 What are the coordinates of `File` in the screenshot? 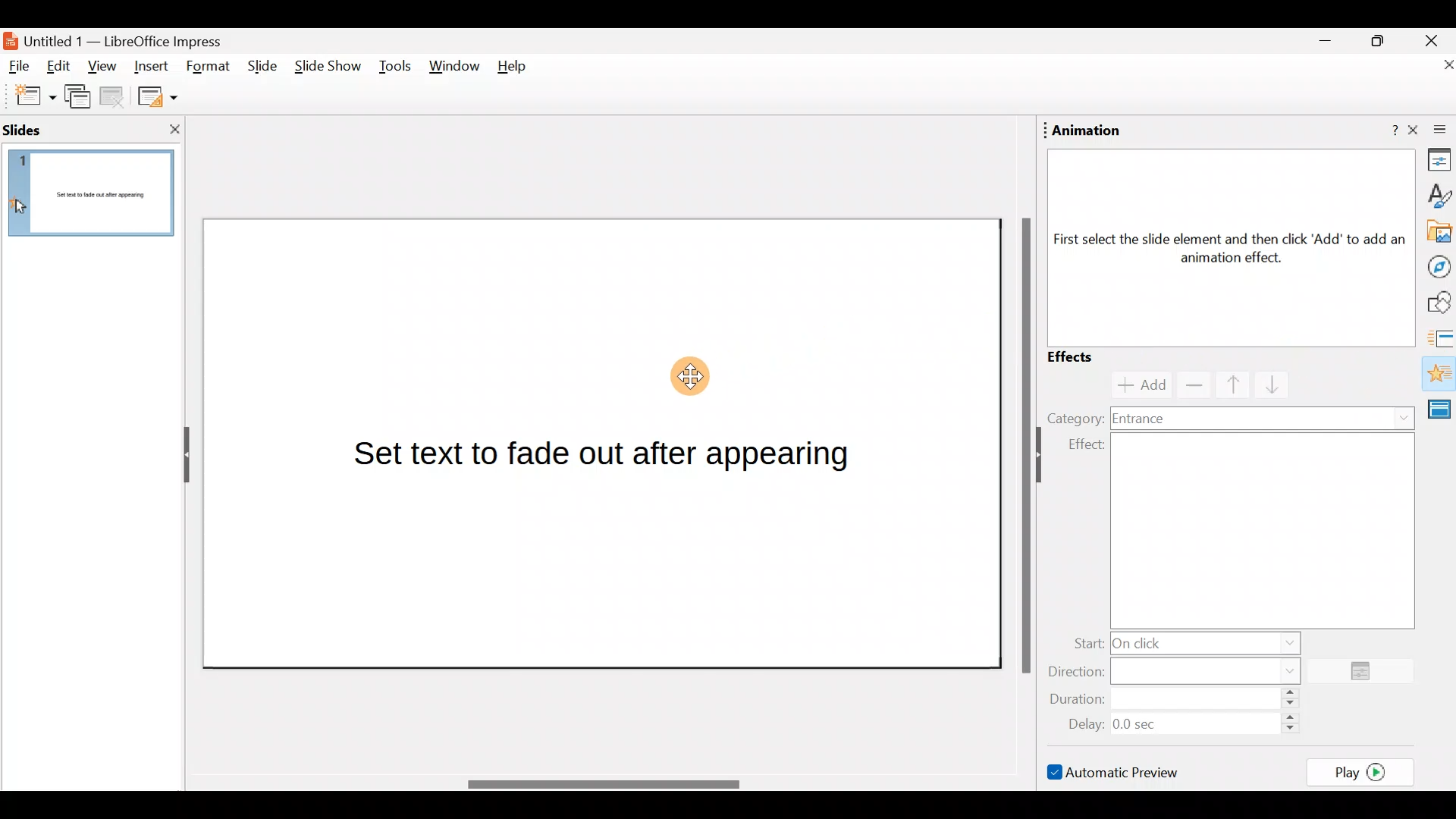 It's located at (20, 67).